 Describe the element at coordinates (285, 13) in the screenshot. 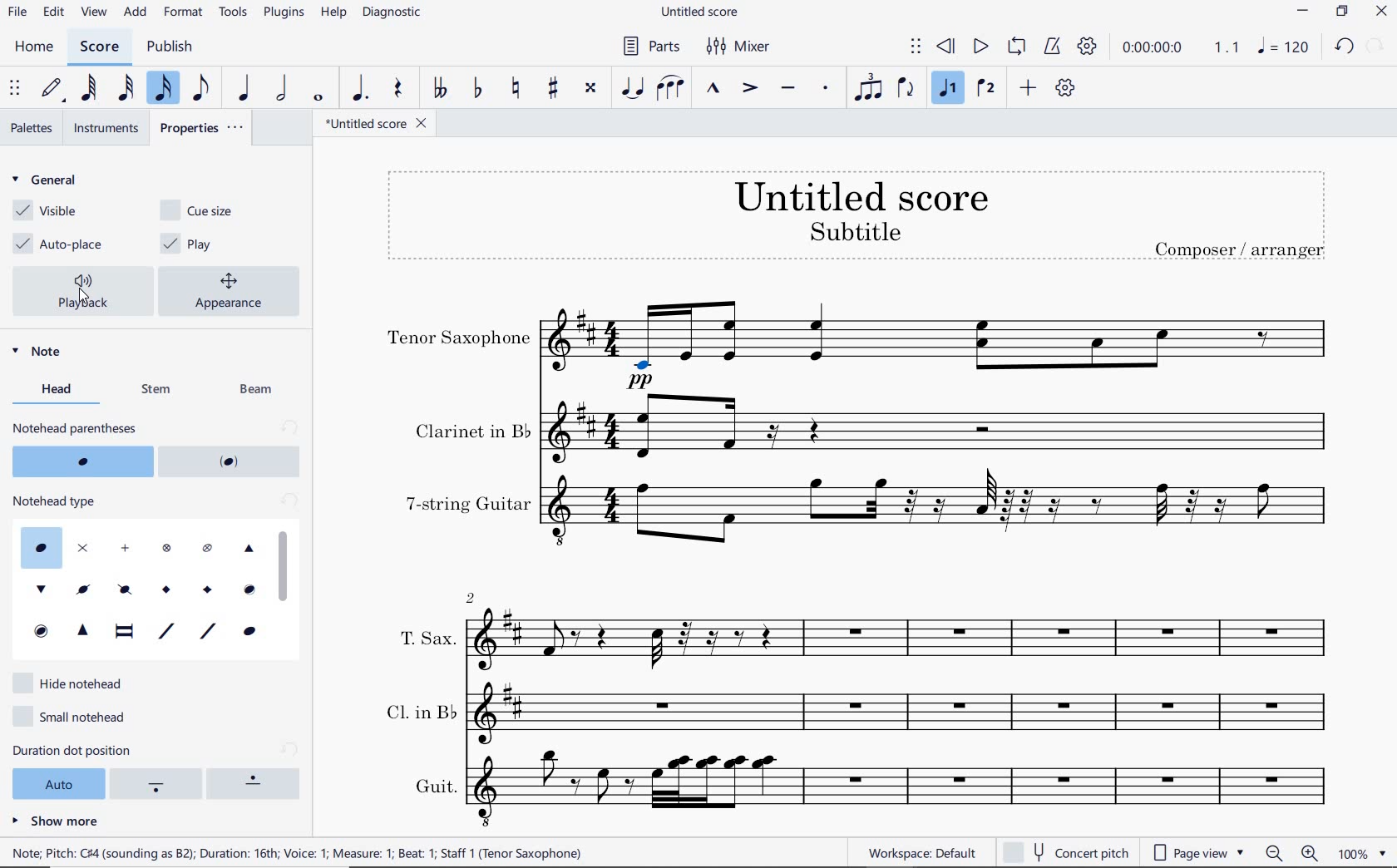

I see `plugins` at that location.